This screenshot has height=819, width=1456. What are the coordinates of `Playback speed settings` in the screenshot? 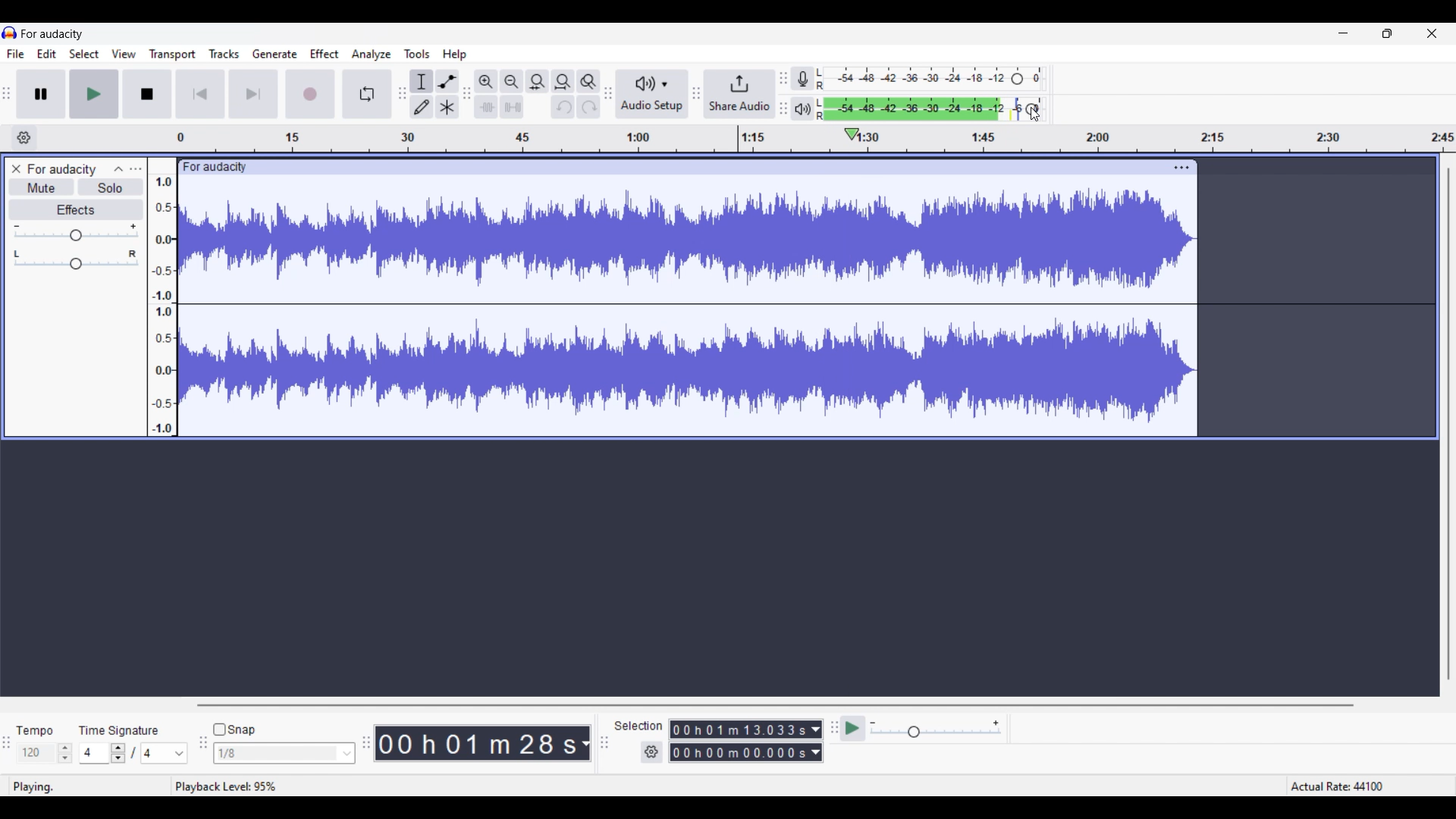 It's located at (937, 729).